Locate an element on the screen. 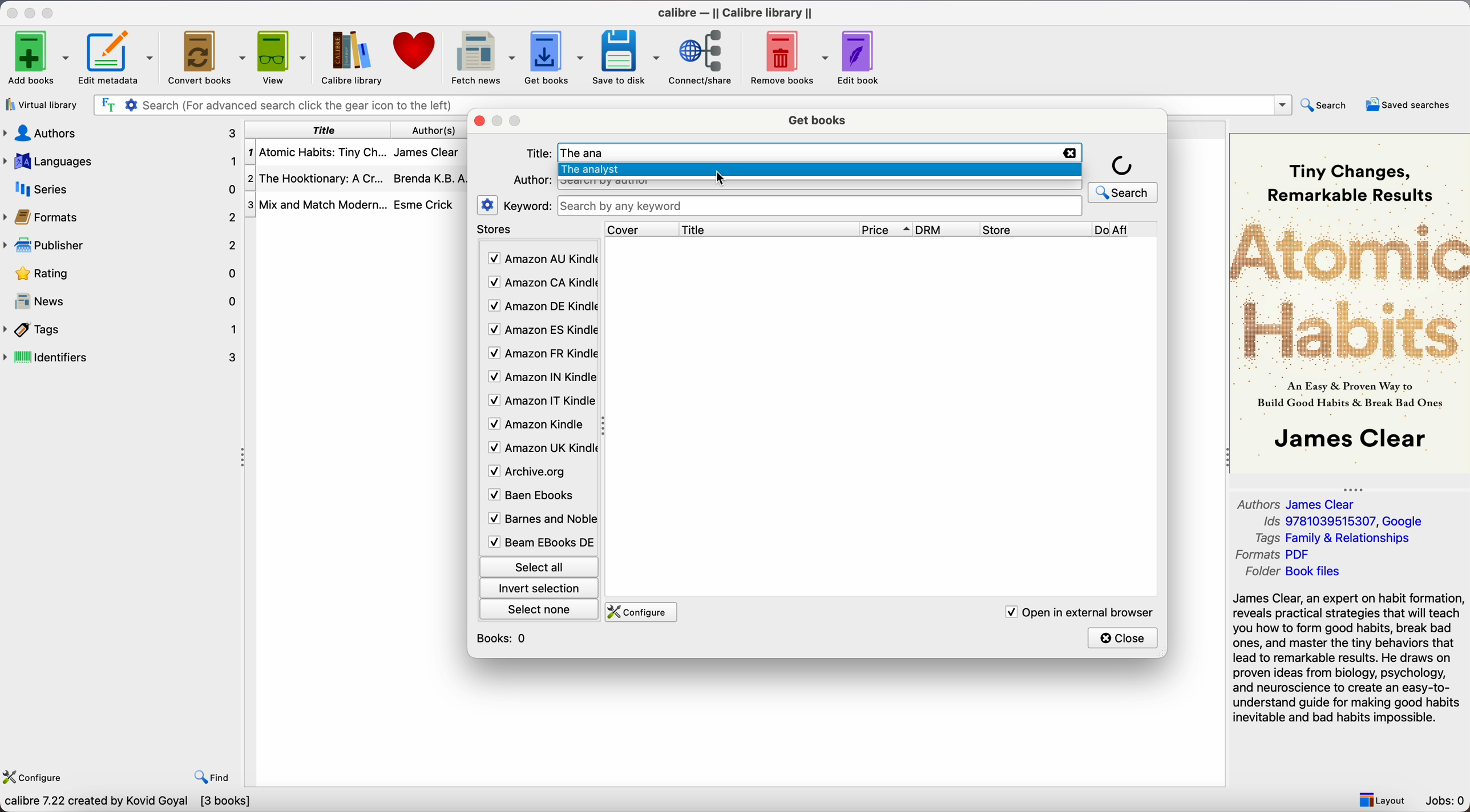 The image size is (1470, 812). find is located at coordinates (215, 778).